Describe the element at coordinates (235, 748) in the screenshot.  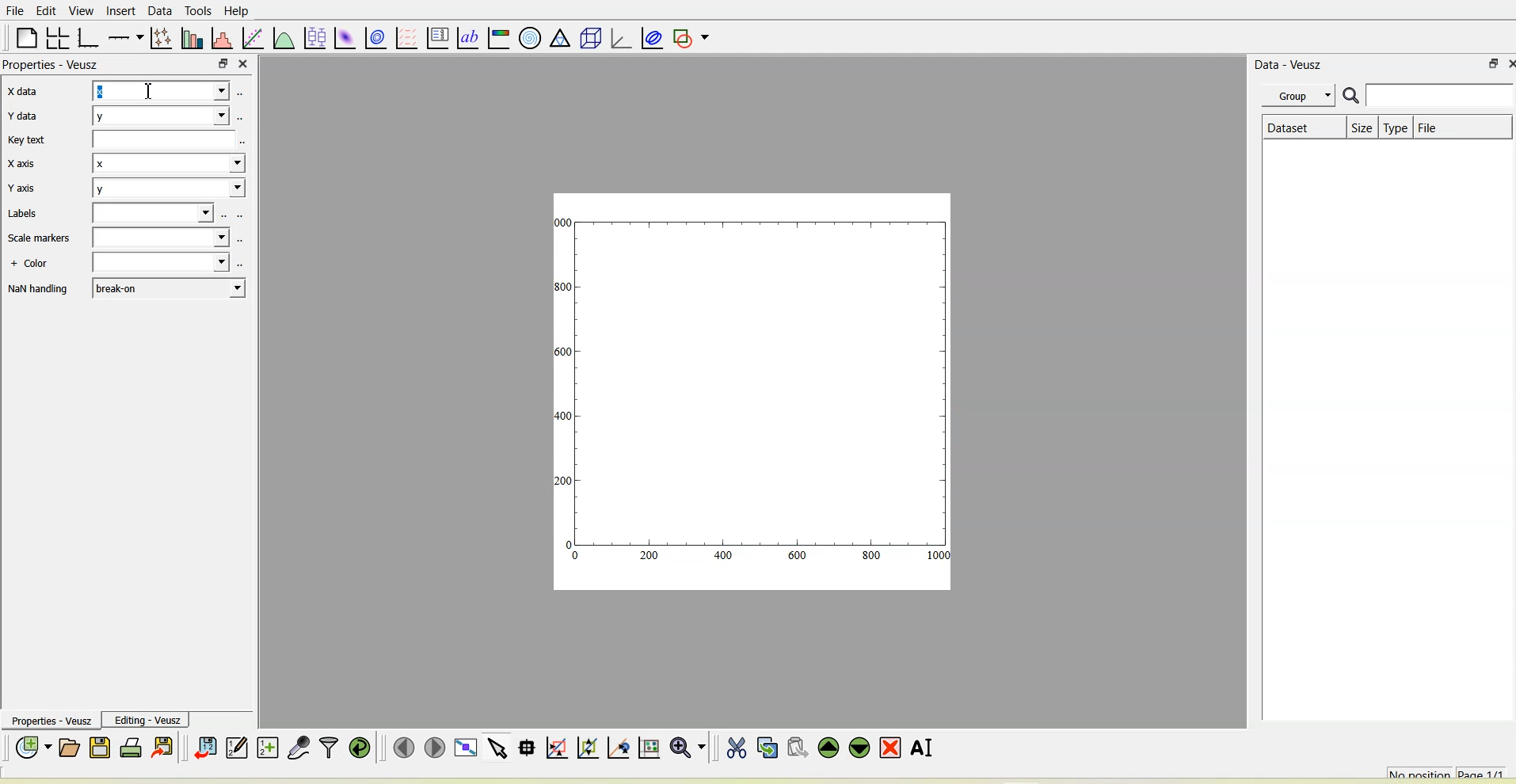
I see `Edit and enter new datasets` at that location.